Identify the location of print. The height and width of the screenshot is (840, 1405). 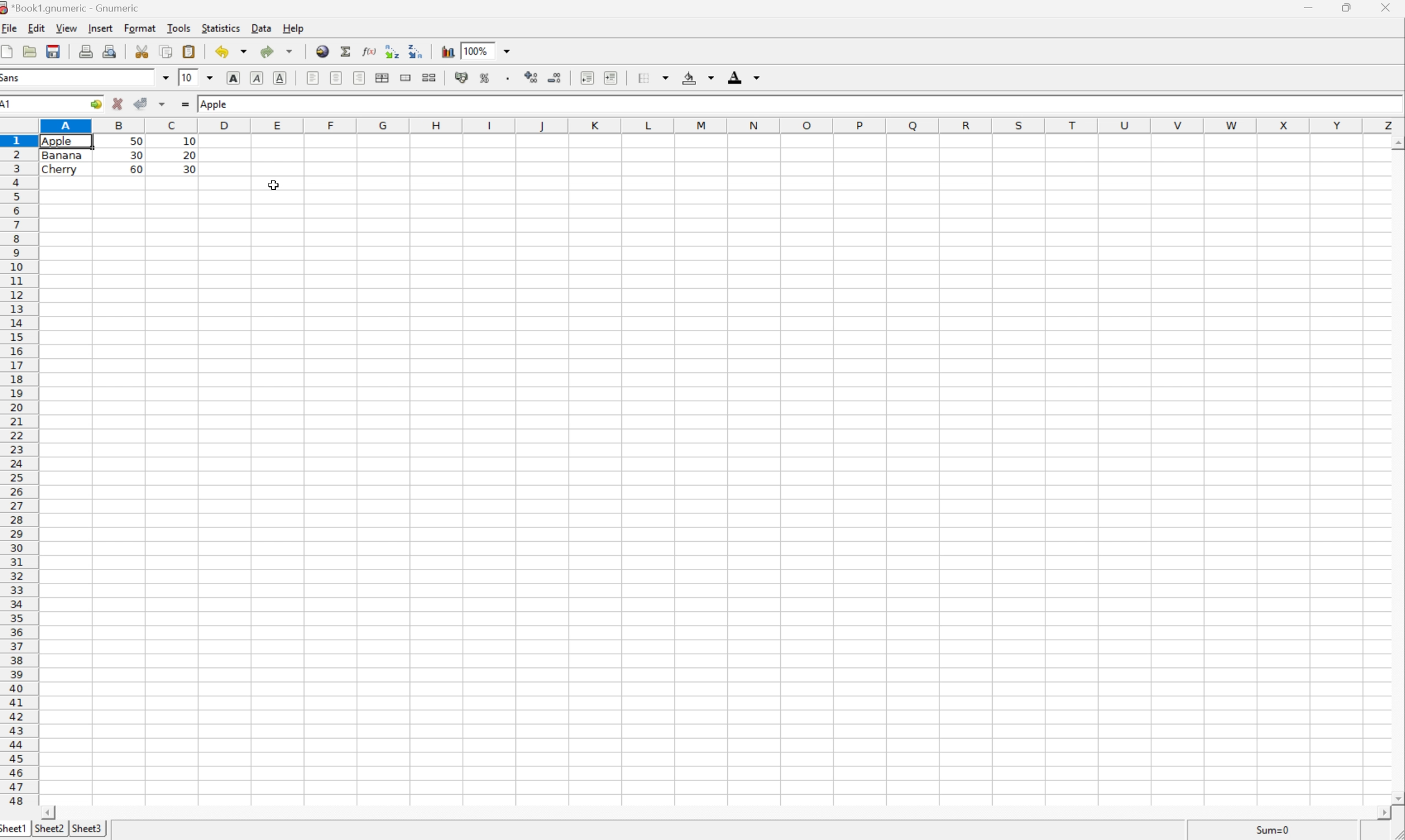
(87, 51).